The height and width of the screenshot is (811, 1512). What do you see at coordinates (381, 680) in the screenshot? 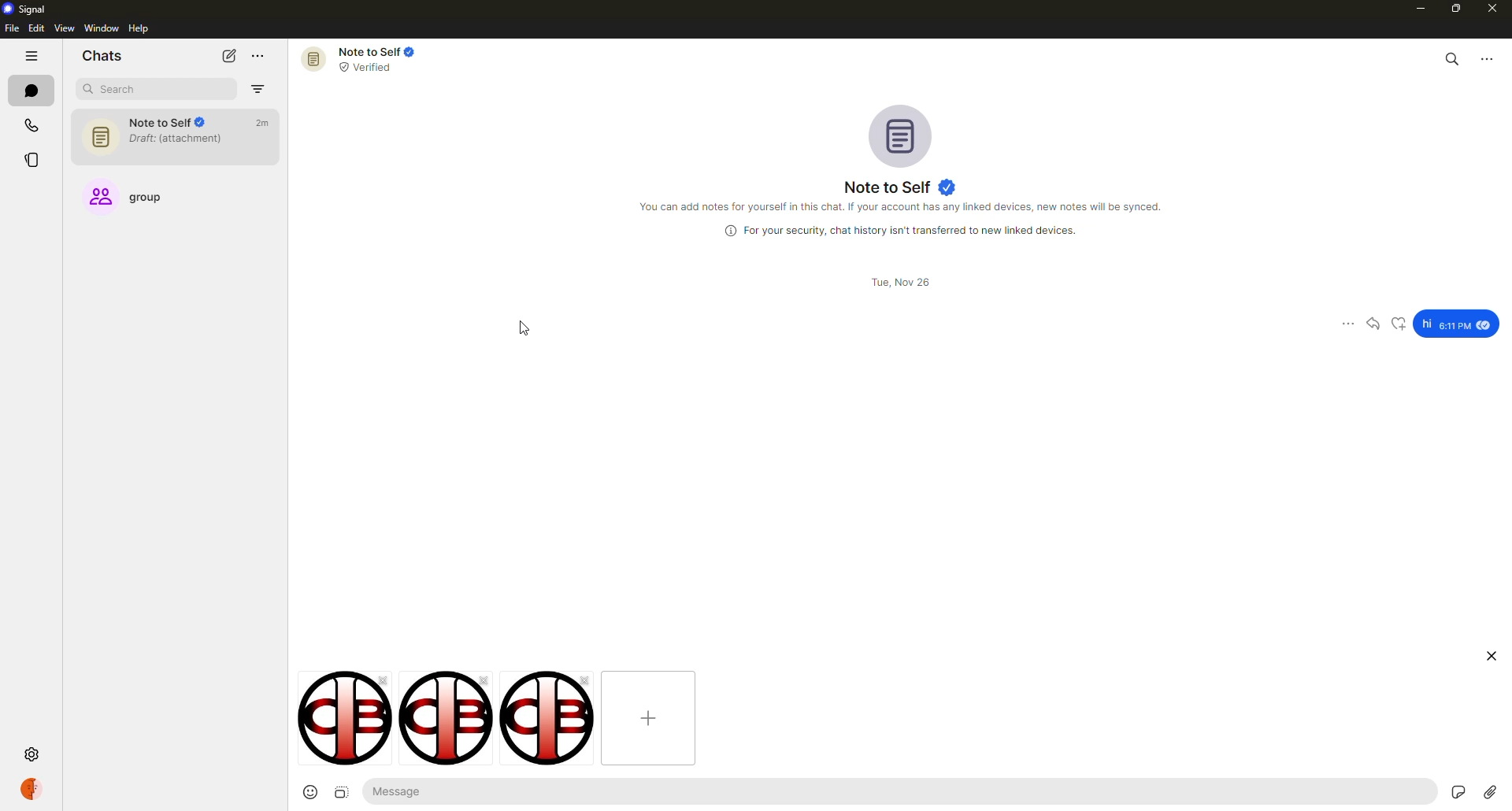
I see `close` at bounding box center [381, 680].